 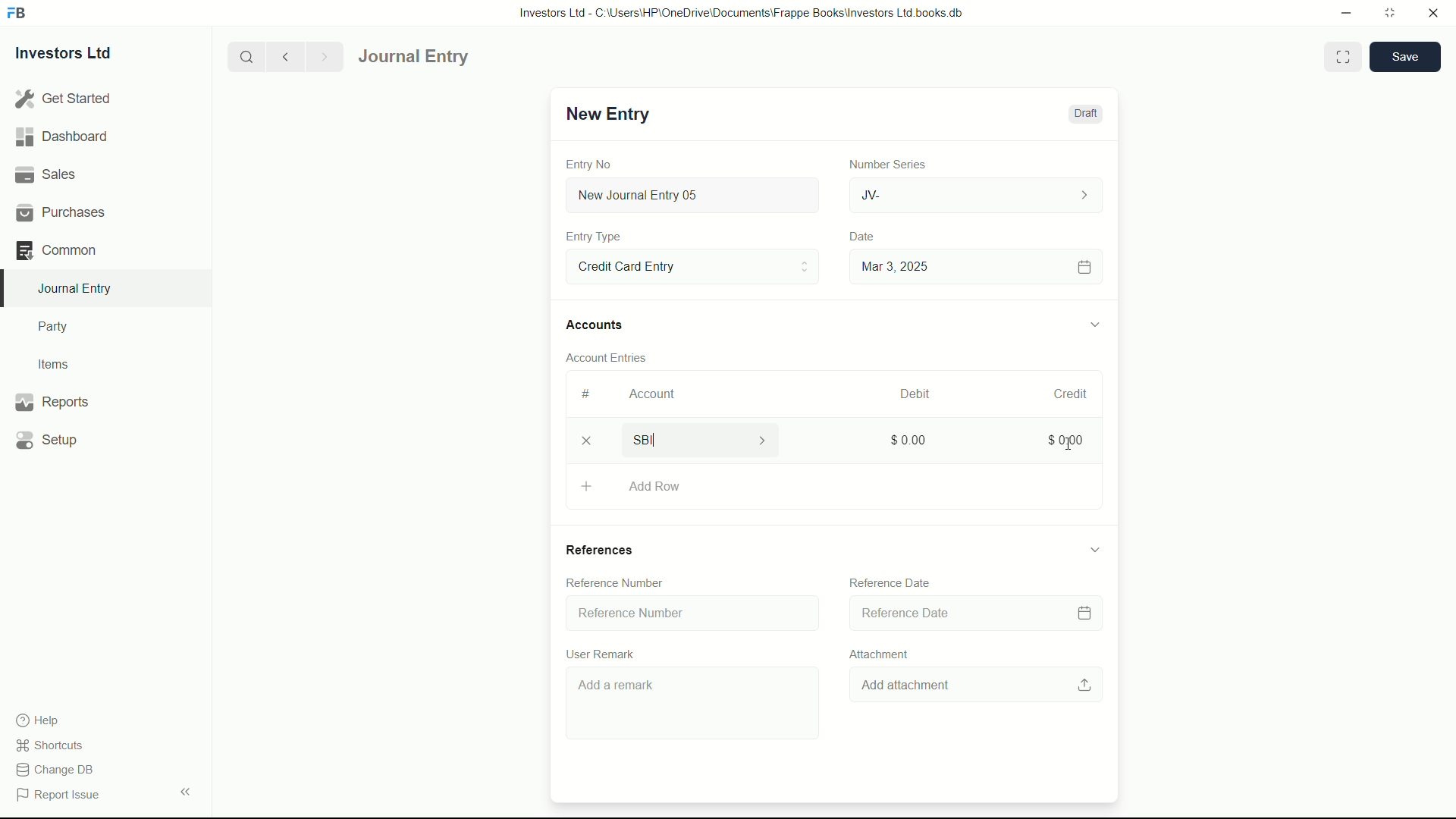 What do you see at coordinates (1434, 14) in the screenshot?
I see `close` at bounding box center [1434, 14].